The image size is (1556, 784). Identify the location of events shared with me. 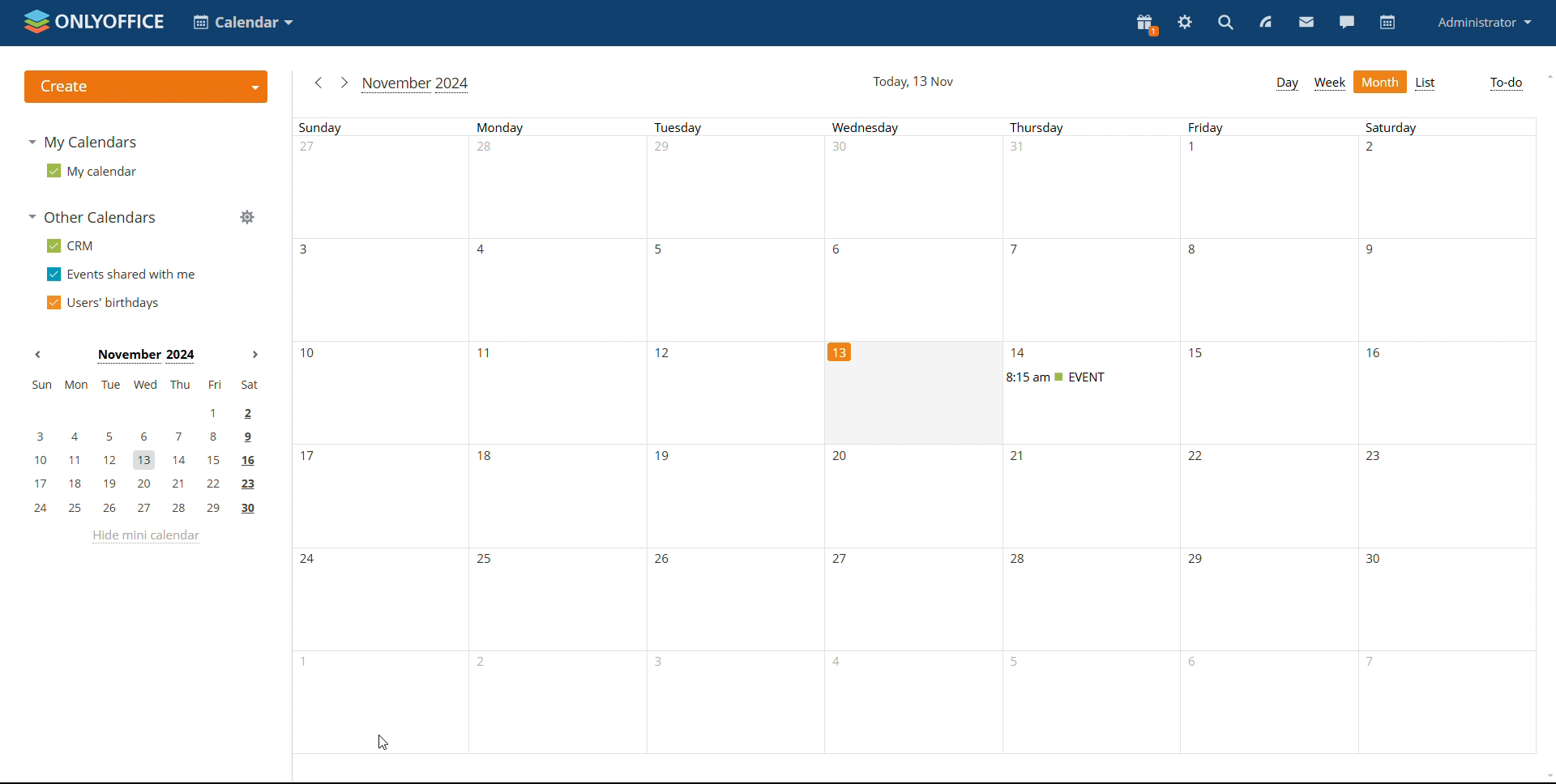
(123, 275).